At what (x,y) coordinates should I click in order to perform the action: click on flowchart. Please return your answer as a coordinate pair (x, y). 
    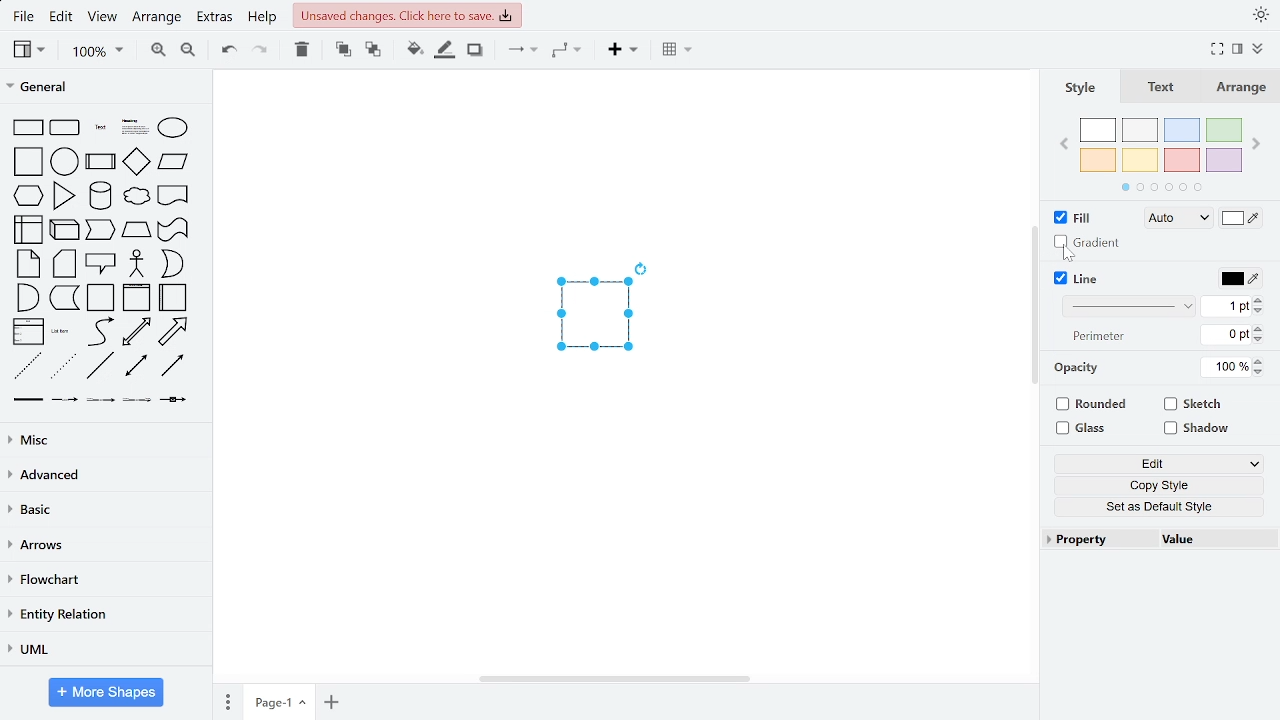
    Looking at the image, I should click on (105, 580).